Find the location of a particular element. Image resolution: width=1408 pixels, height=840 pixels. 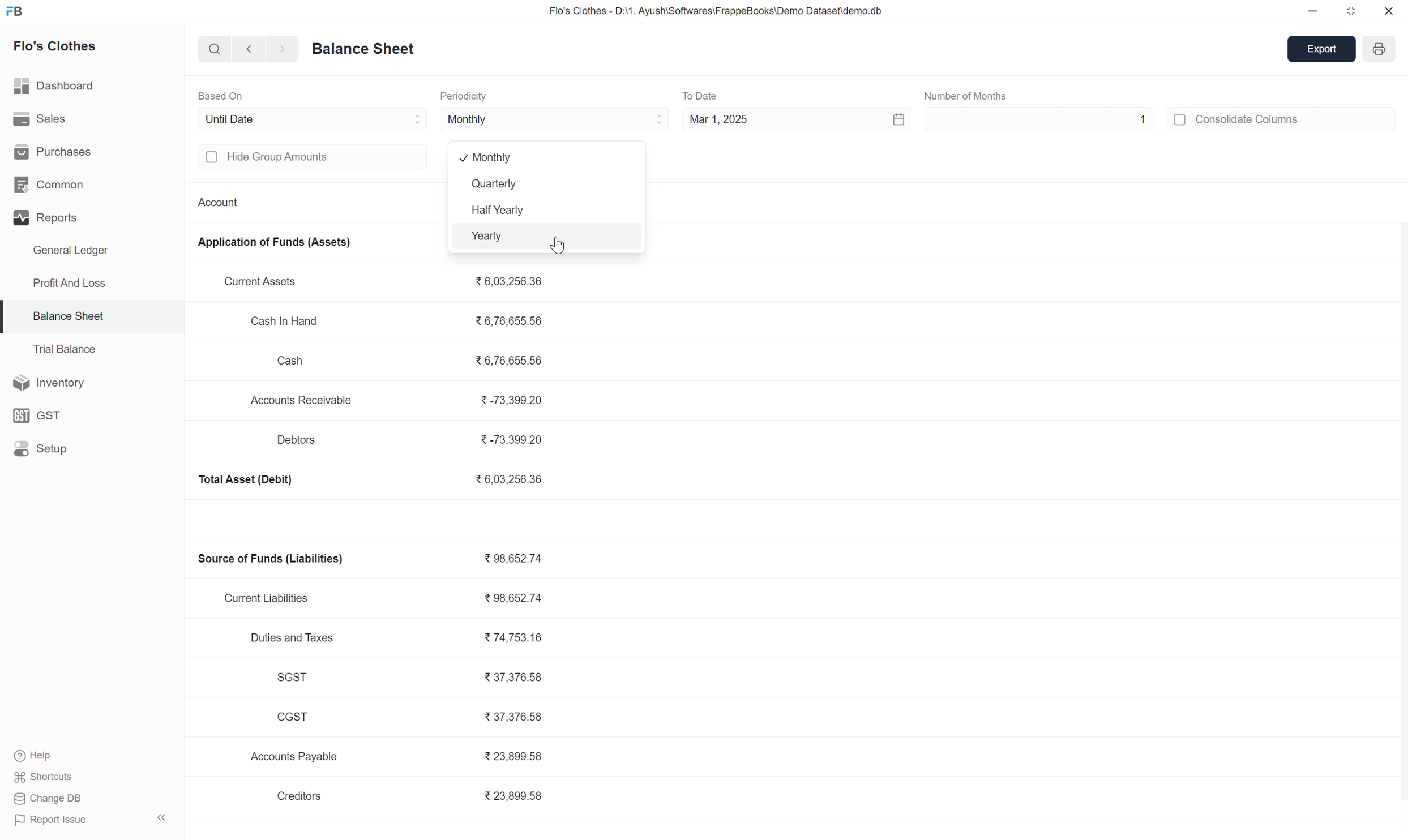

Consolidate Columns is located at coordinates (1253, 119).